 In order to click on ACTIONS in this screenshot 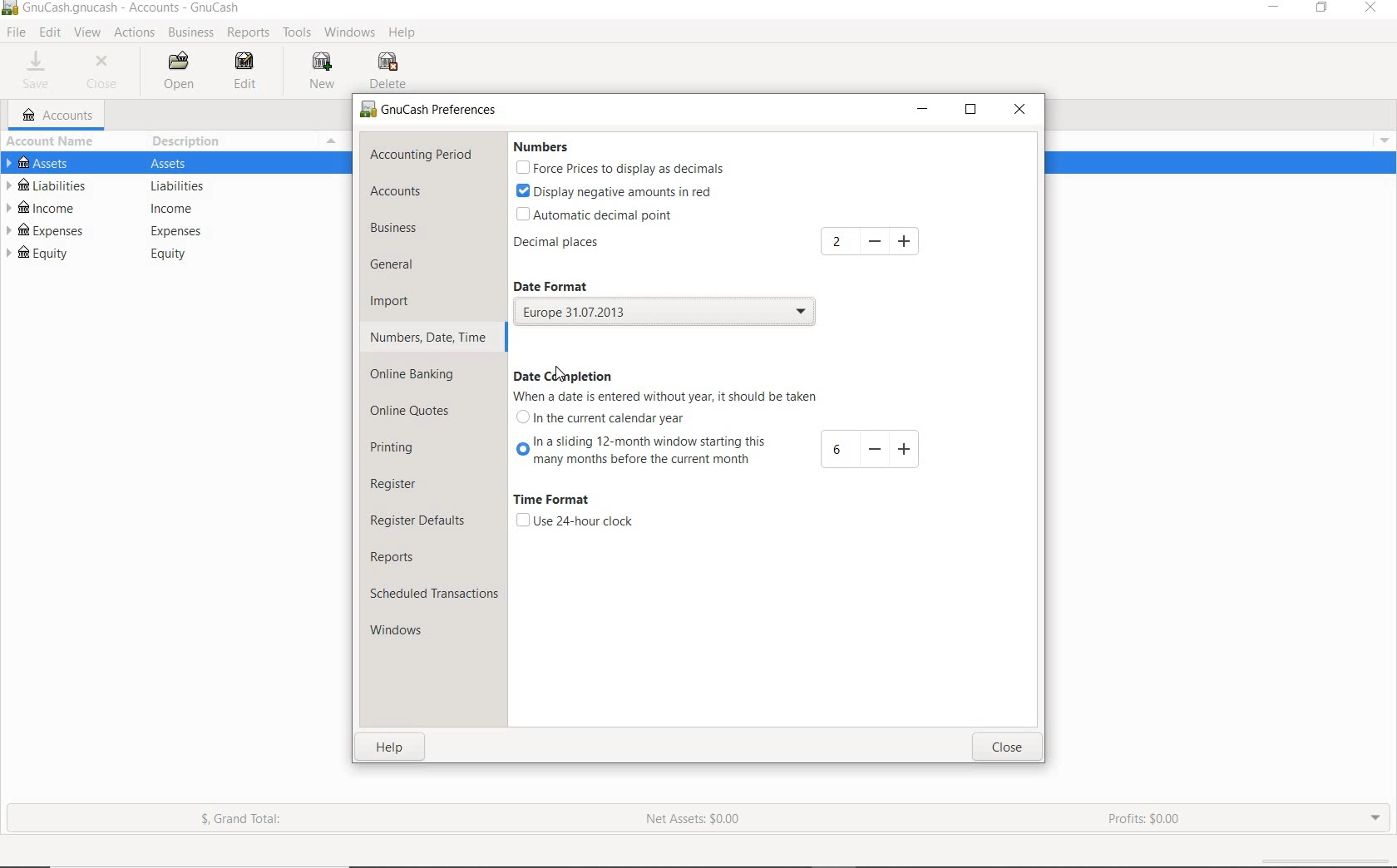, I will do `click(136, 33)`.